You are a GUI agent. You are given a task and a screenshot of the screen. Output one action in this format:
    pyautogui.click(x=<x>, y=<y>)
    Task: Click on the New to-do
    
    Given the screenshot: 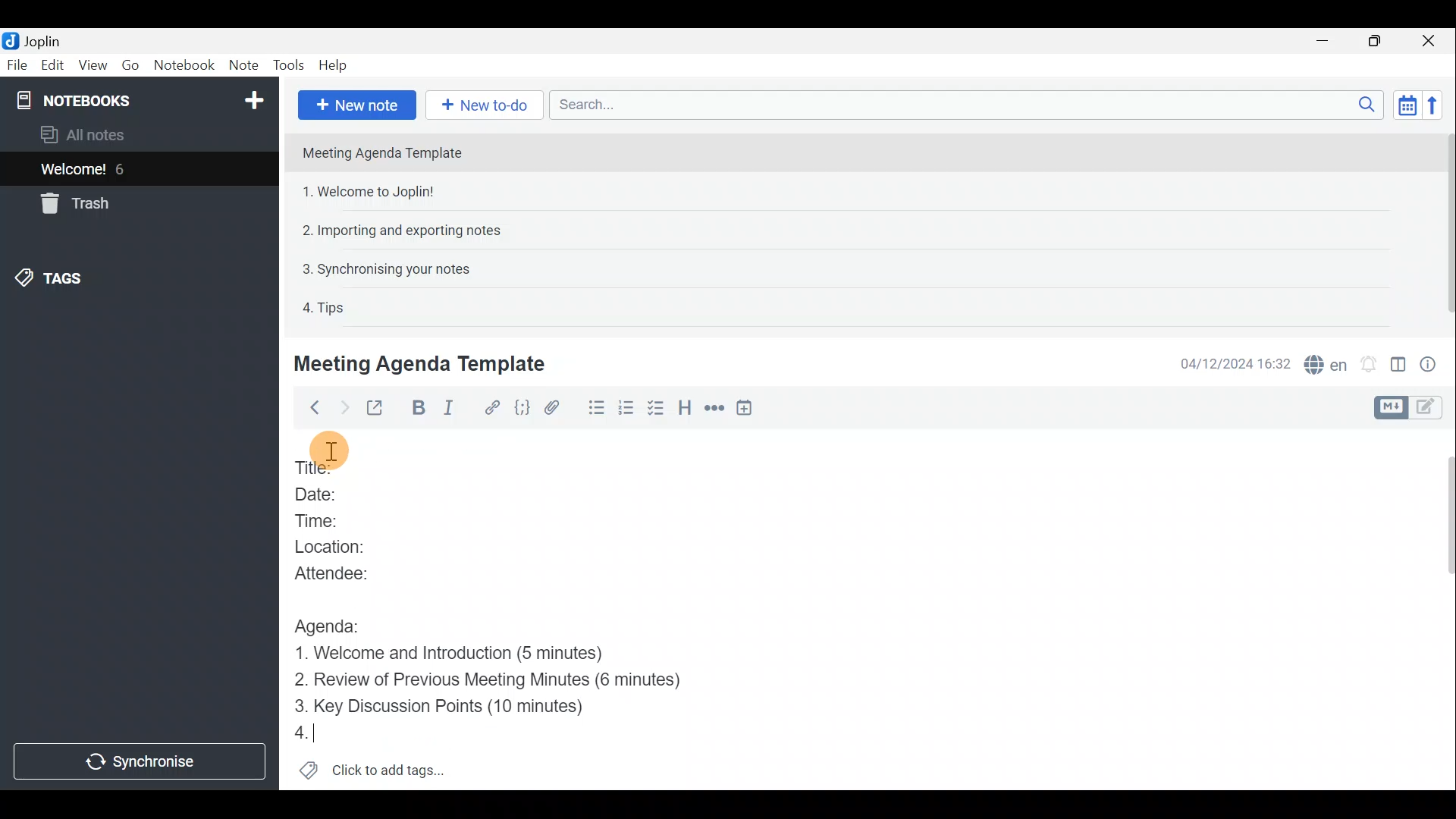 What is the action you would take?
    pyautogui.click(x=482, y=105)
    